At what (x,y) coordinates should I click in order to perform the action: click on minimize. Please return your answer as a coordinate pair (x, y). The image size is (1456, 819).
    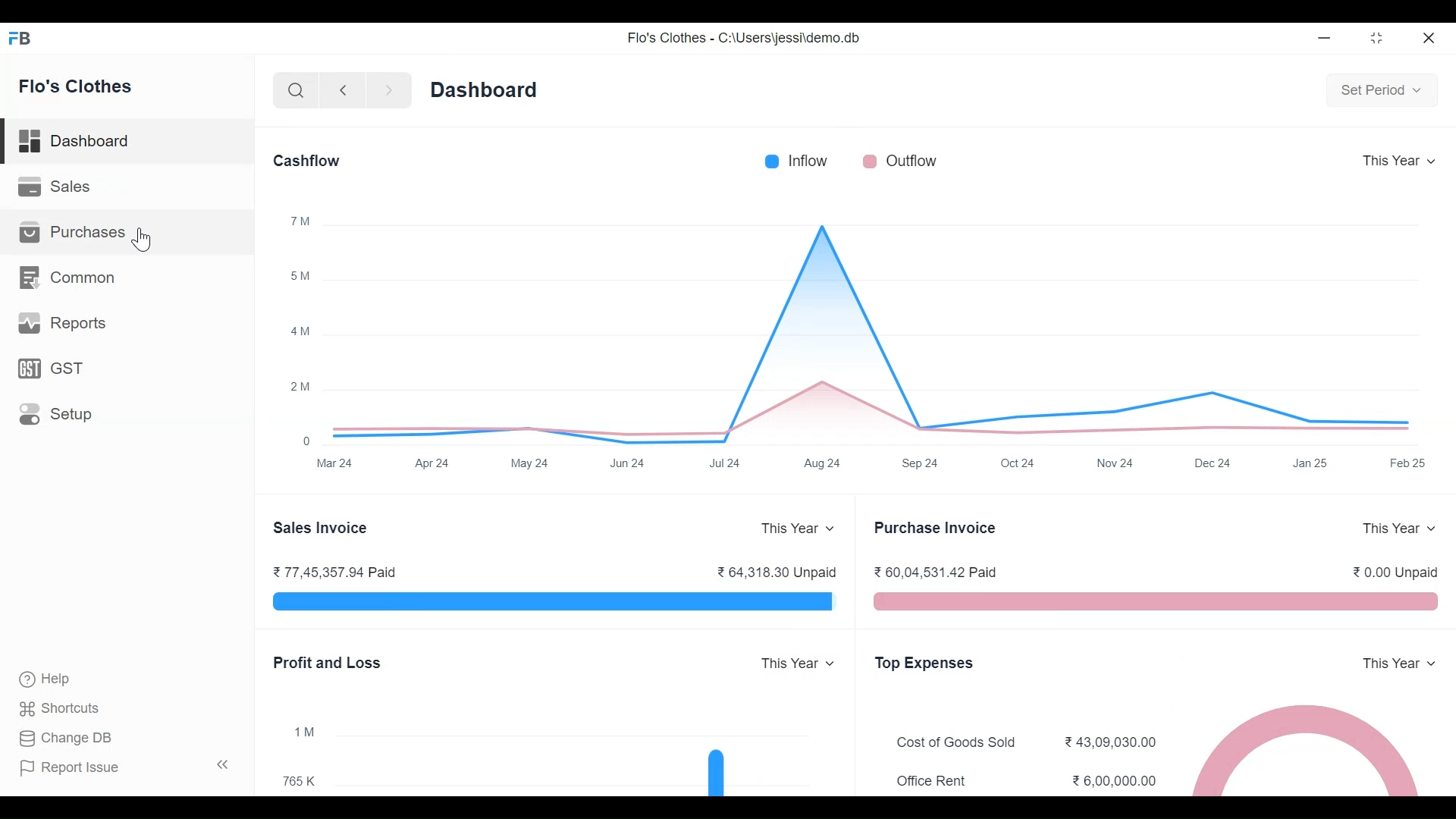
    Looking at the image, I should click on (1326, 39).